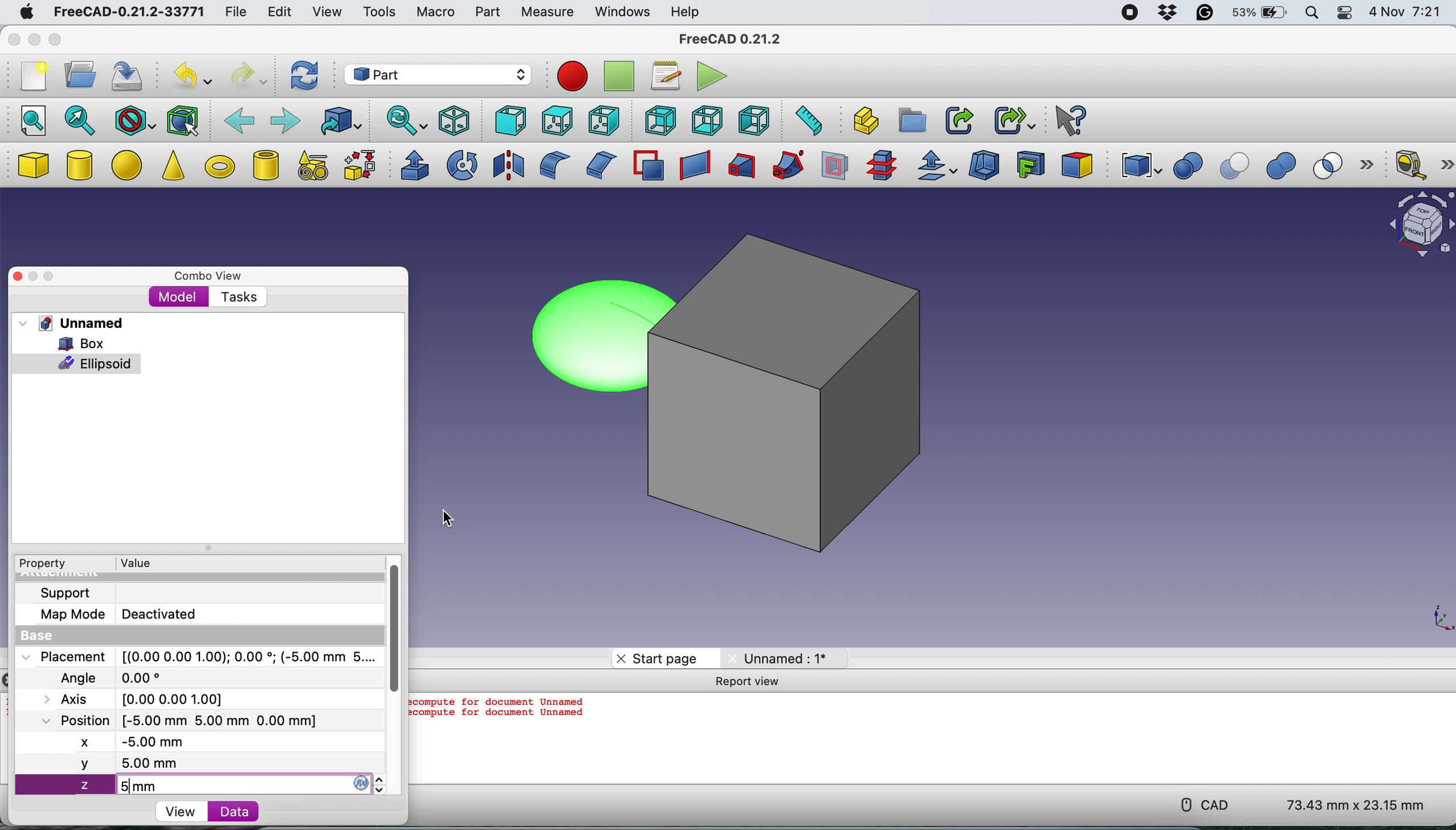 This screenshot has width=1456, height=830. I want to click on 4 Nov 7:21, so click(1407, 14).